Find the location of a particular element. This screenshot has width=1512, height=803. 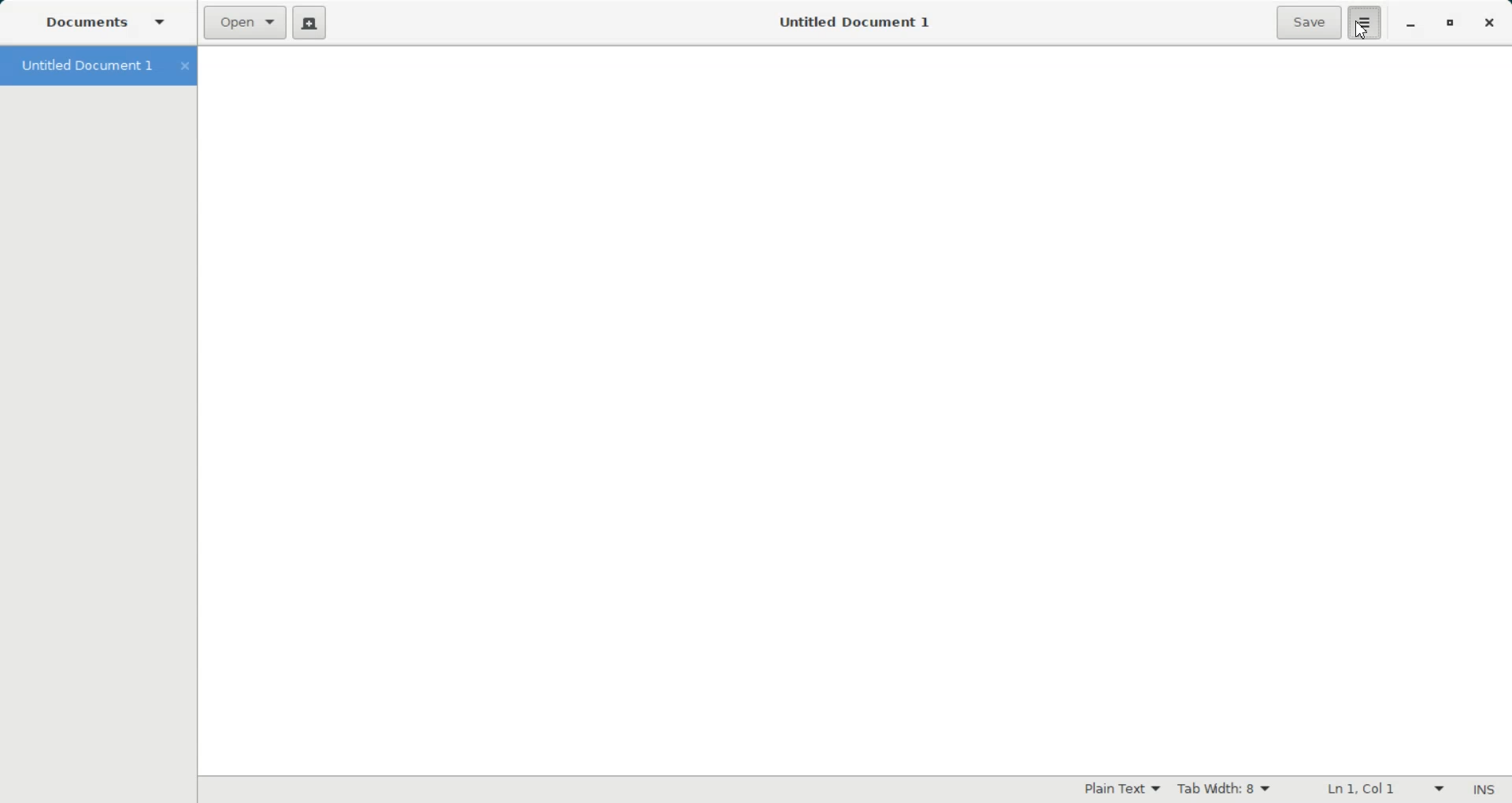

Untitled Document 1 tab is located at coordinates (83, 65).